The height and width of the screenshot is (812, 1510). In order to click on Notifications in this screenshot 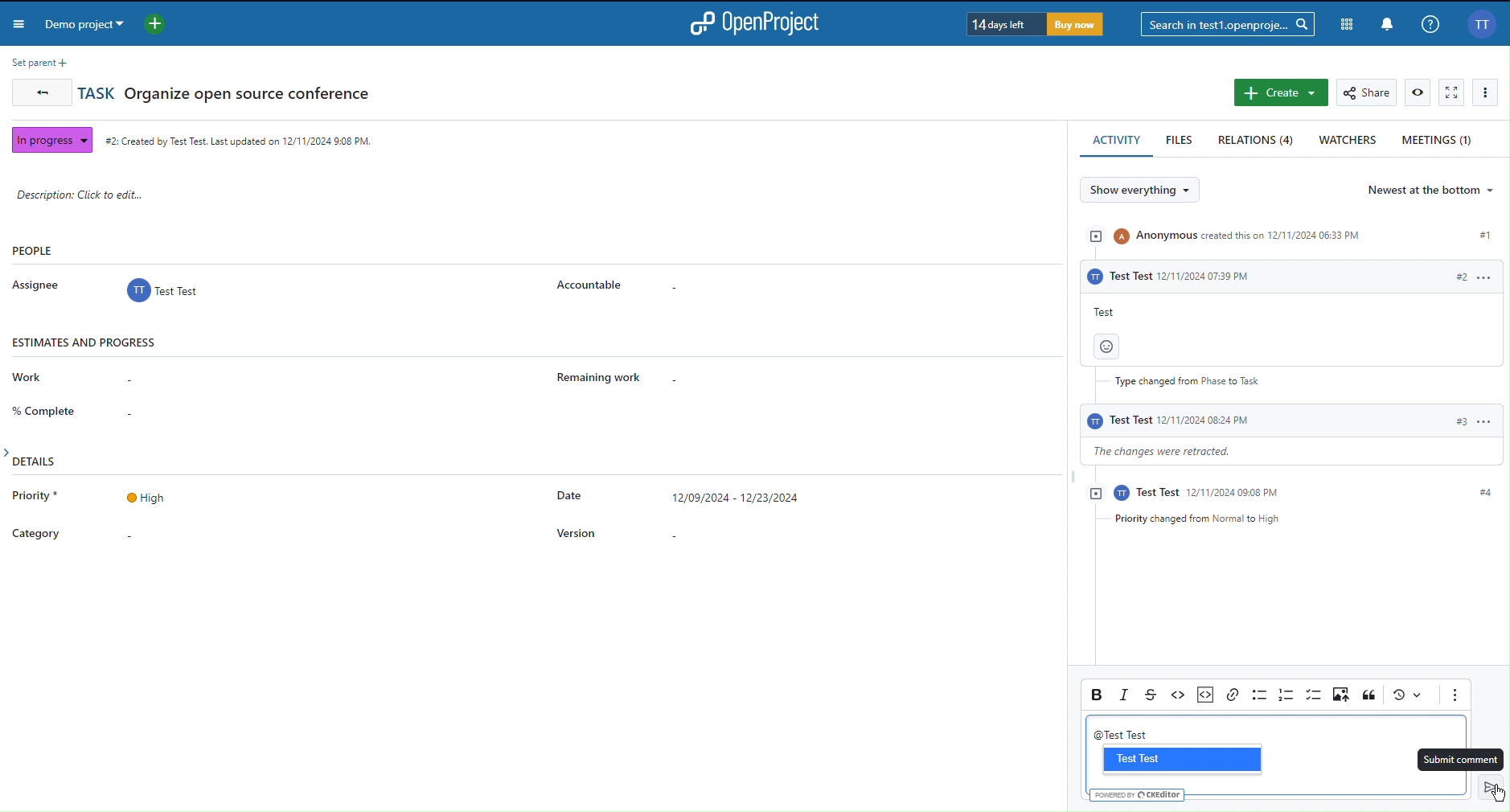, I will do `click(1385, 23)`.